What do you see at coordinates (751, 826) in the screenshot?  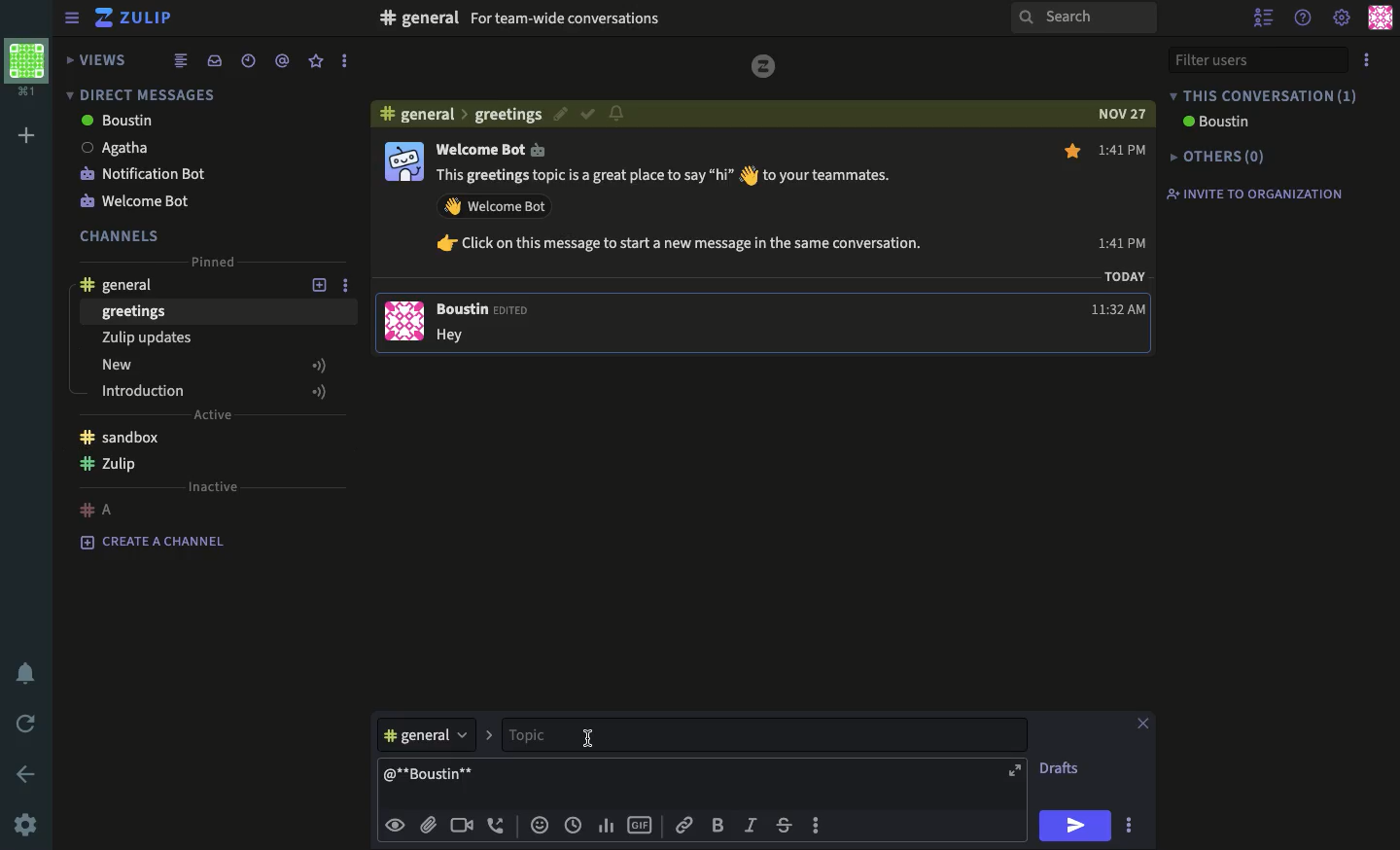 I see `italics` at bounding box center [751, 826].